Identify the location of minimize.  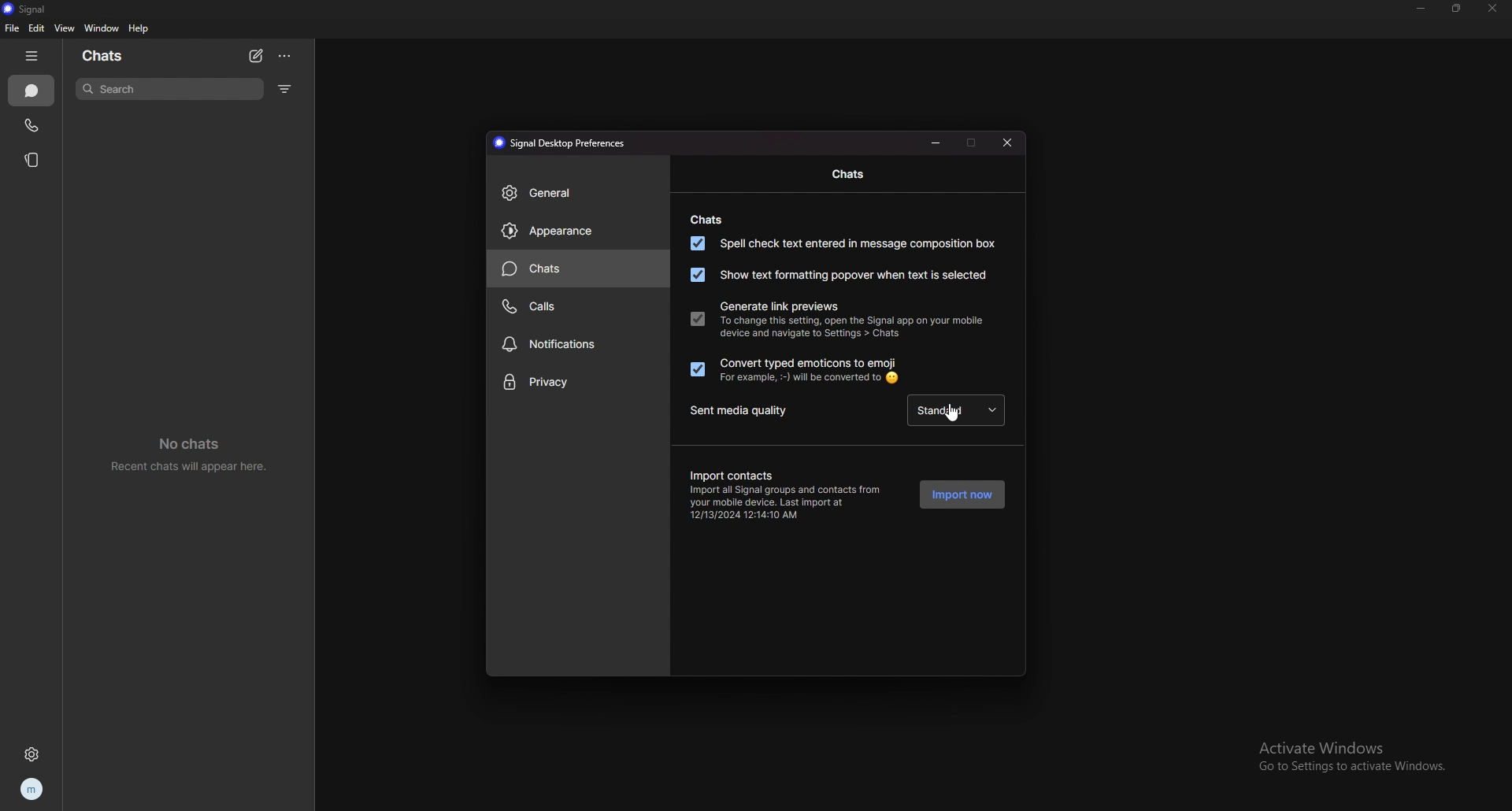
(1421, 8).